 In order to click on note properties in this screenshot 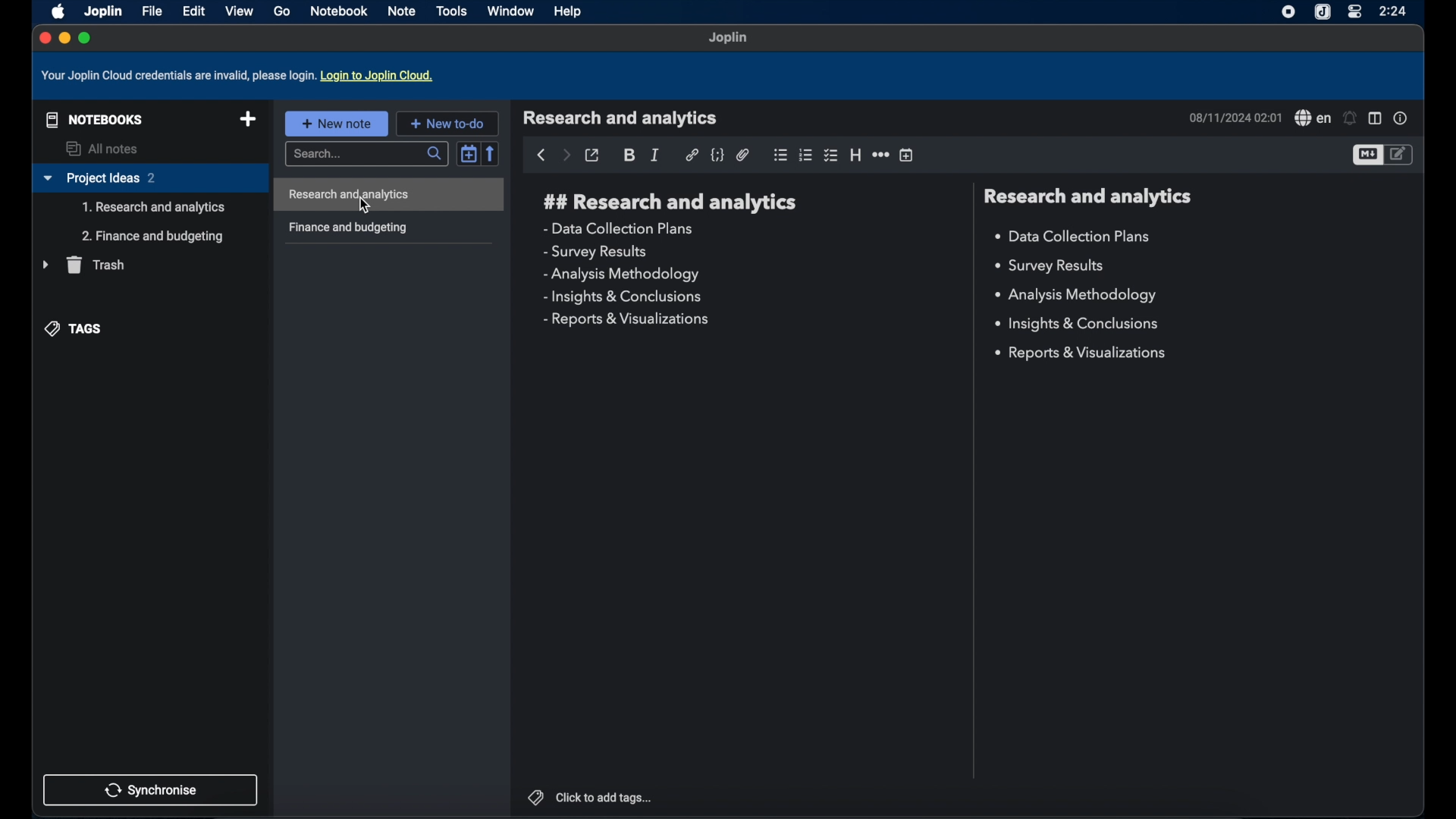, I will do `click(1401, 118)`.